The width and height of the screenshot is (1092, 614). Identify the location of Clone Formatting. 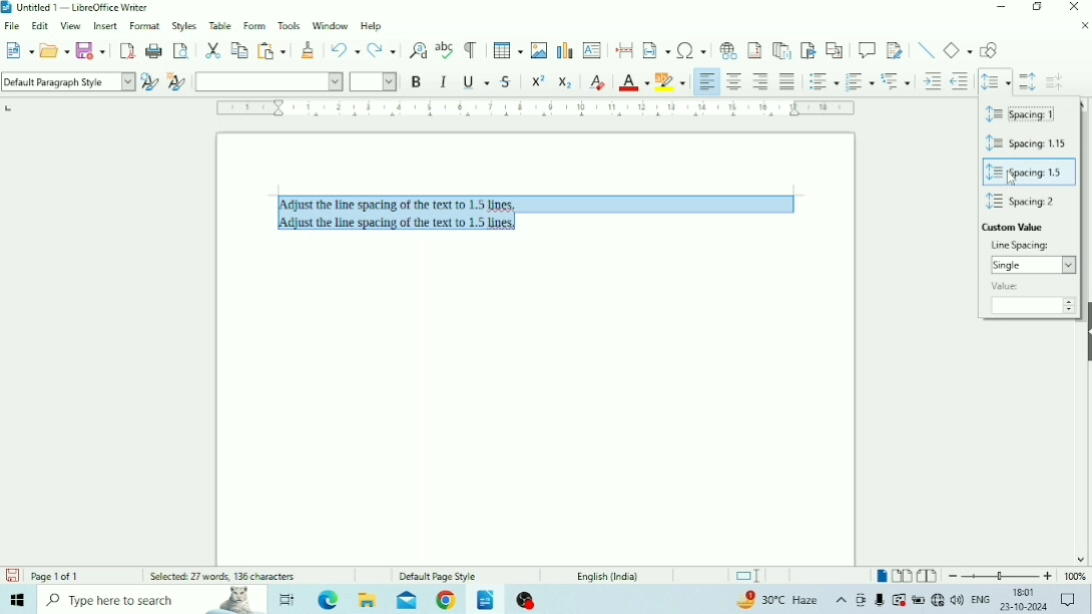
(308, 50).